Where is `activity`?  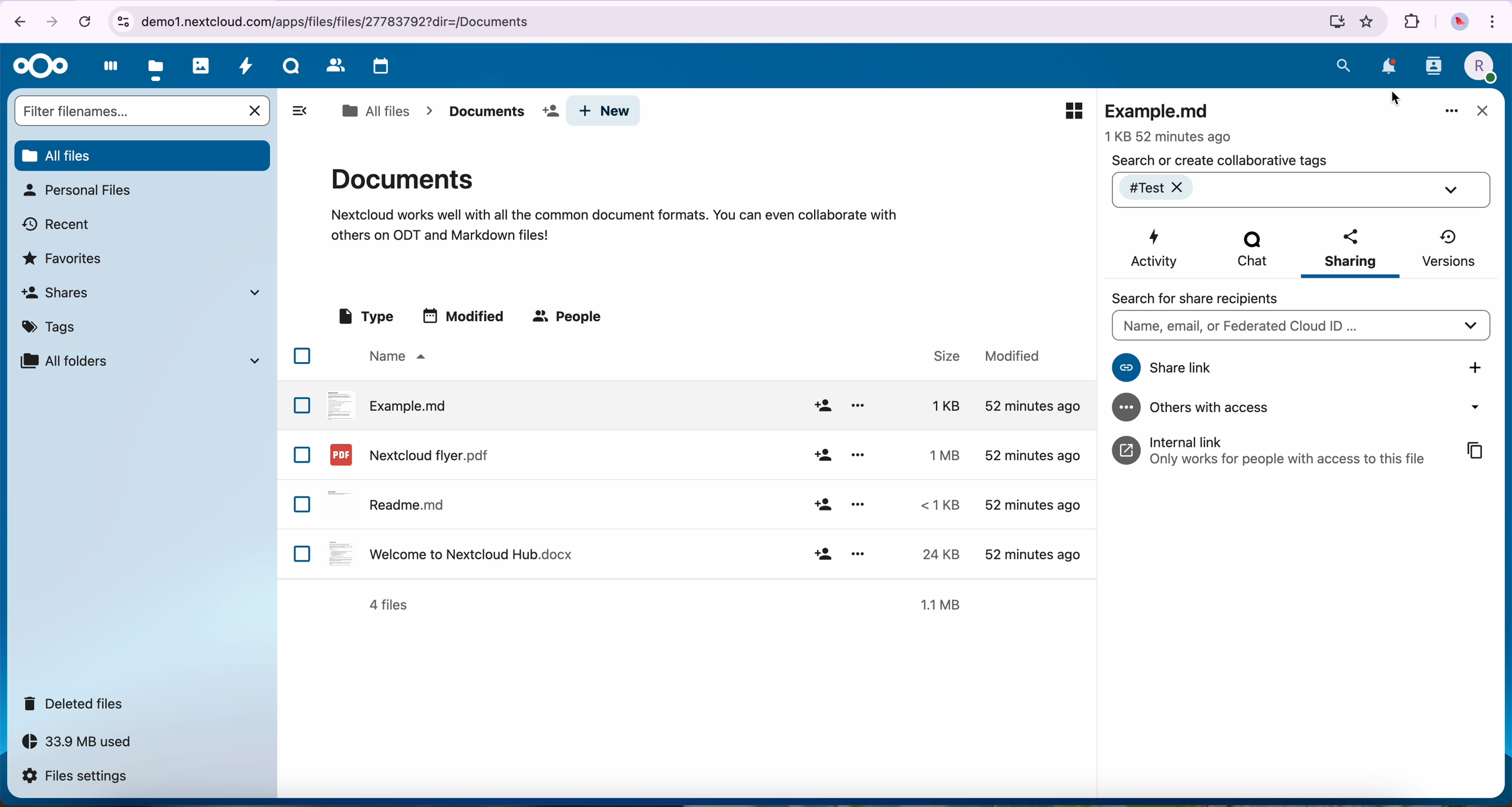
activity is located at coordinates (247, 69).